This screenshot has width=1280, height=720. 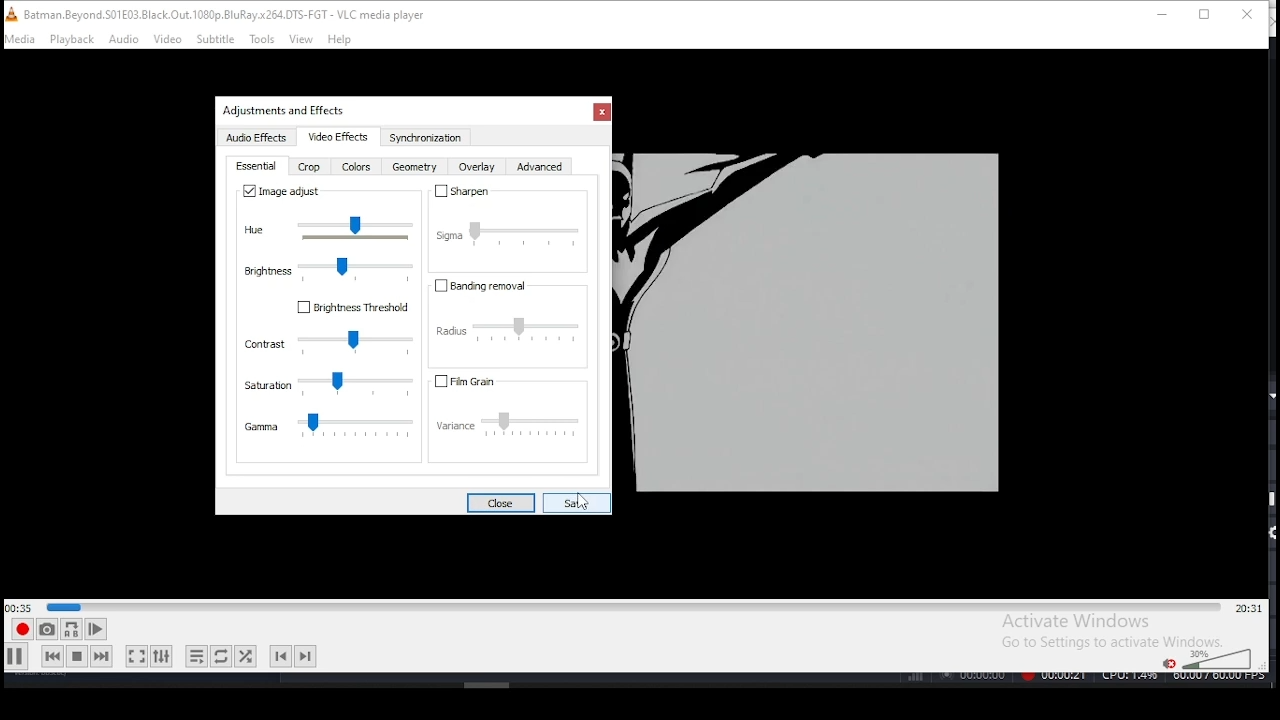 I want to click on record, so click(x=21, y=630).